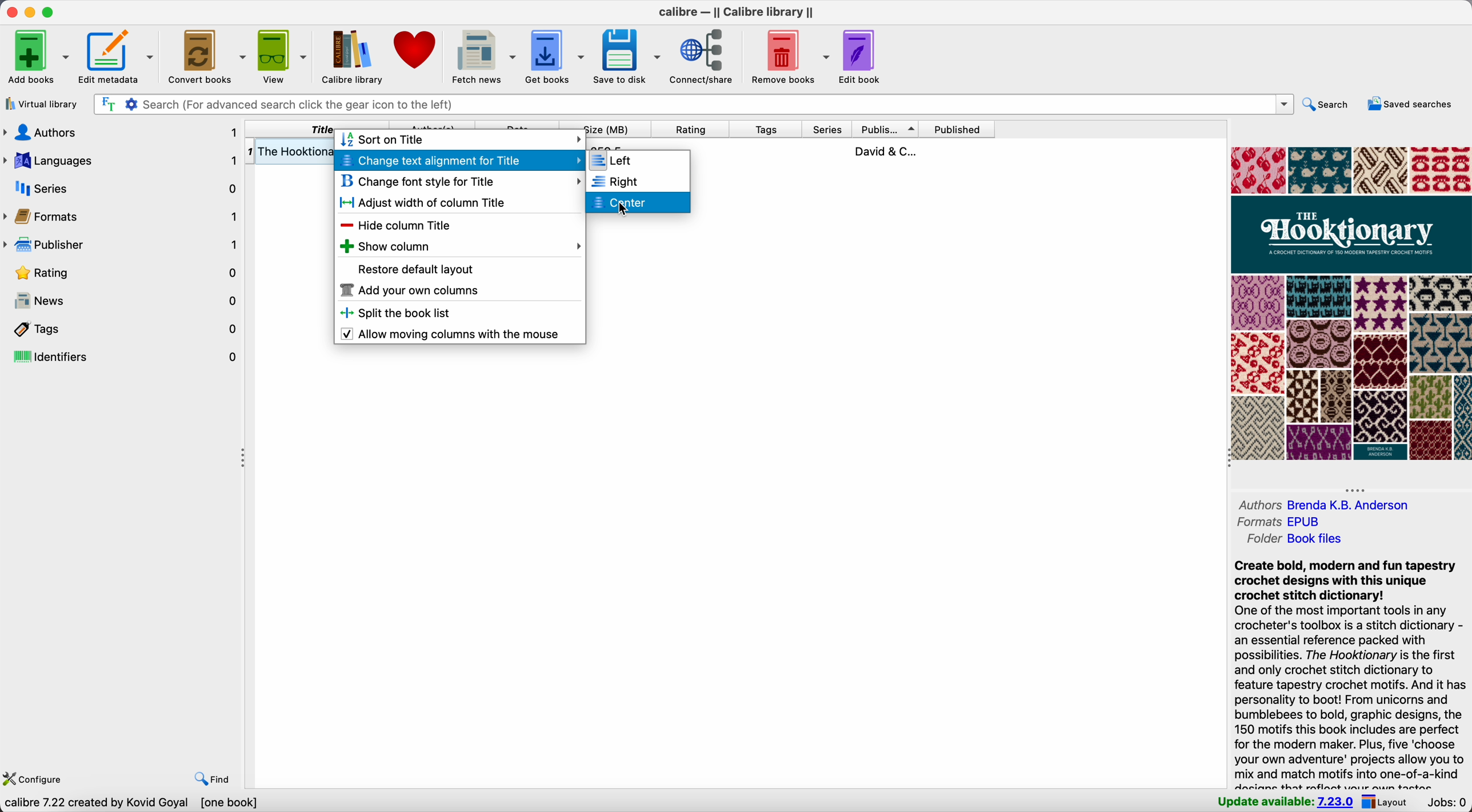 The height and width of the screenshot is (812, 1472). Describe the element at coordinates (29, 12) in the screenshot. I see `minimize` at that location.